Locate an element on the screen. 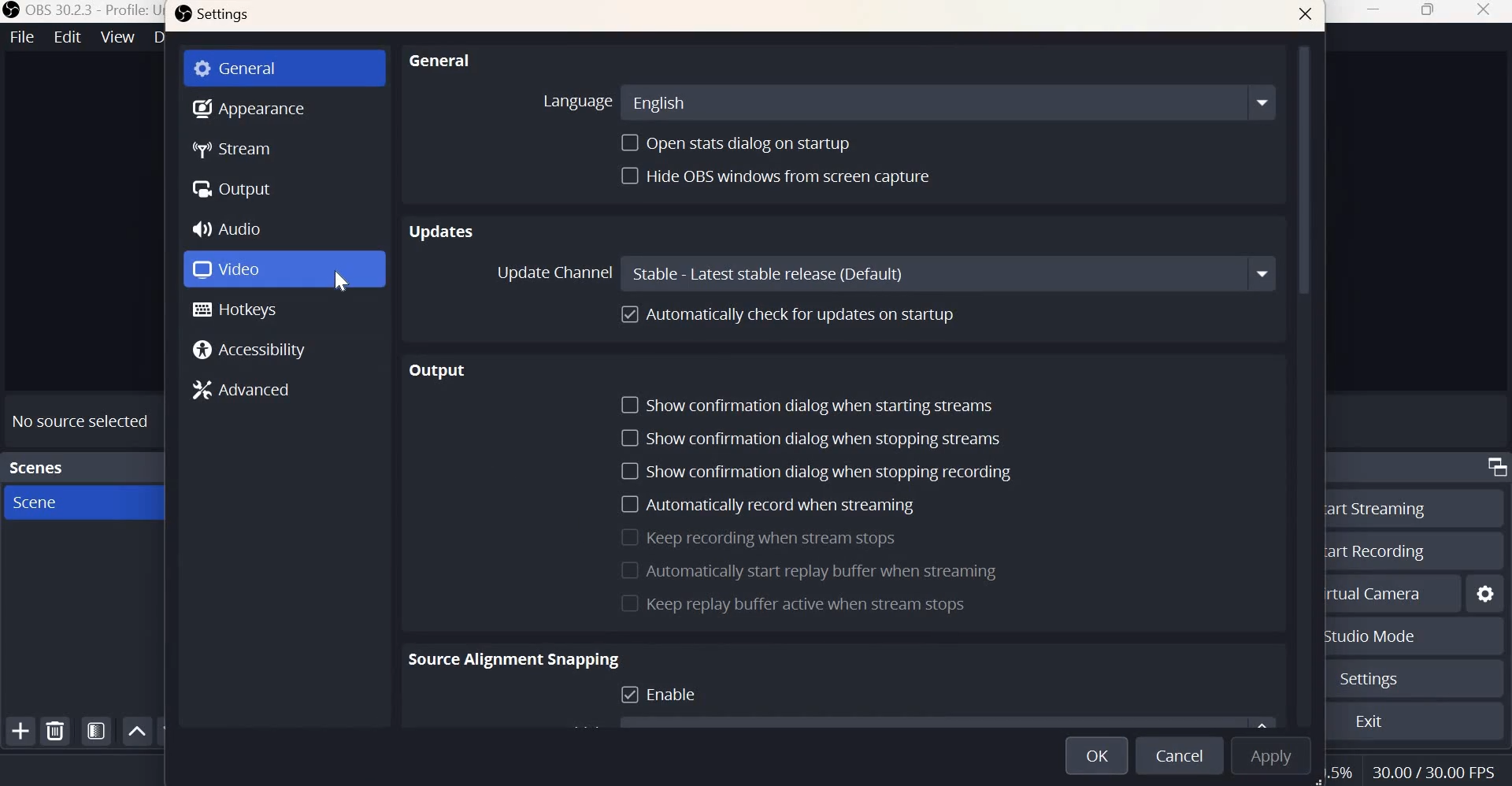 Image resolution: width=1512 pixels, height=786 pixels. Keep replay buffer active when stream stops is located at coordinates (796, 603).